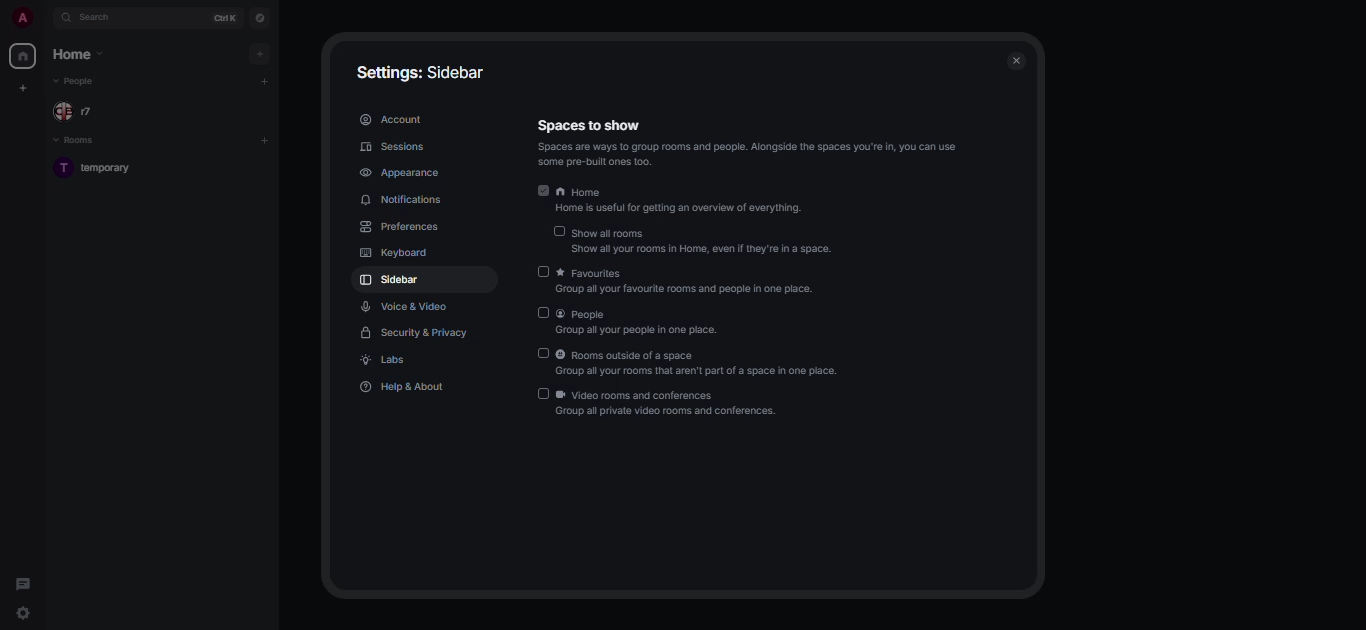 The image size is (1366, 630). I want to click on add, so click(263, 140).